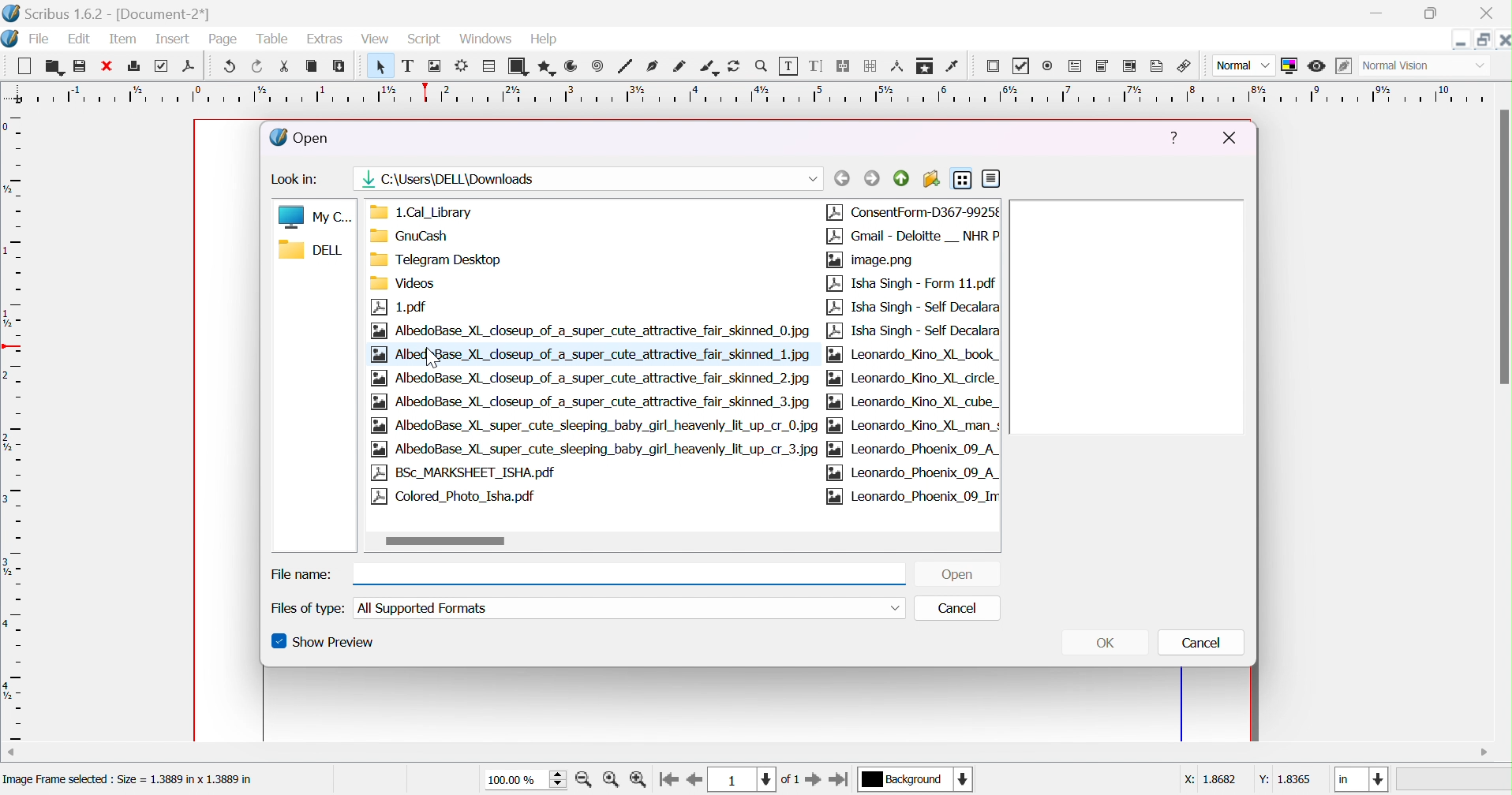 This screenshot has width=1512, height=795. What do you see at coordinates (916, 778) in the screenshot?
I see `current layer` at bounding box center [916, 778].